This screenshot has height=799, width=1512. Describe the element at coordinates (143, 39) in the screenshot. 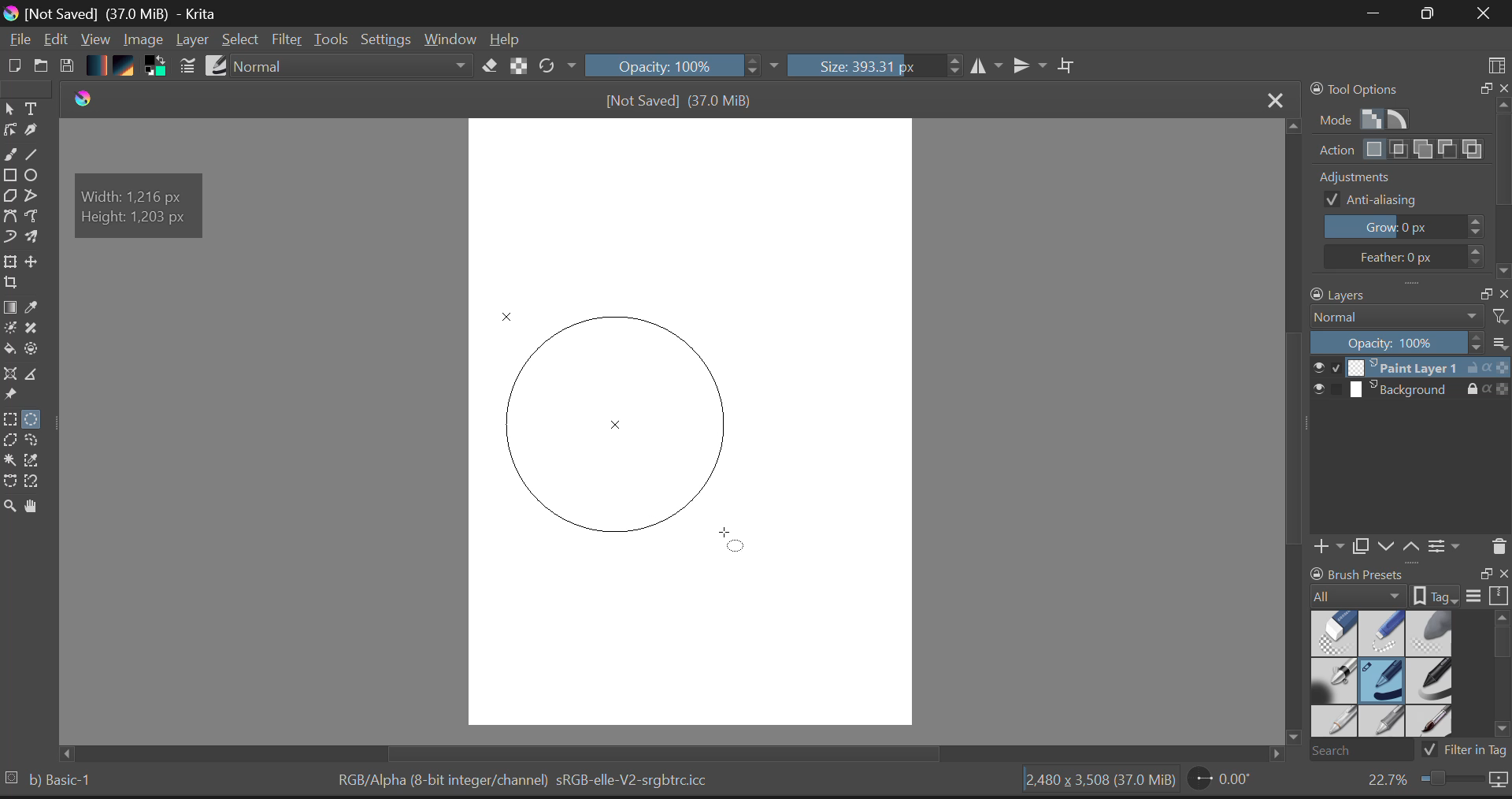

I see `Image` at that location.